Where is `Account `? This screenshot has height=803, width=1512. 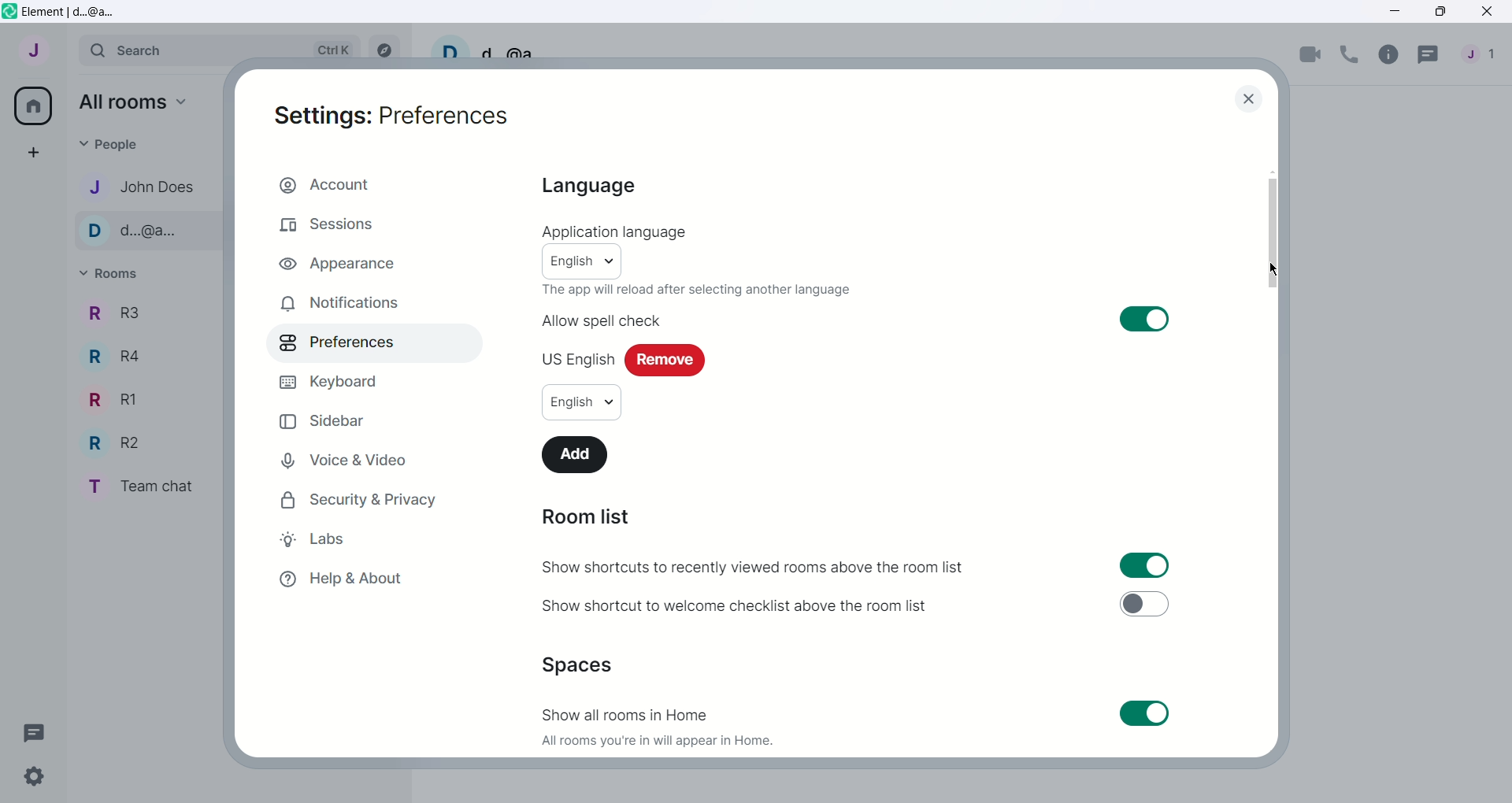
Account  is located at coordinates (374, 186).